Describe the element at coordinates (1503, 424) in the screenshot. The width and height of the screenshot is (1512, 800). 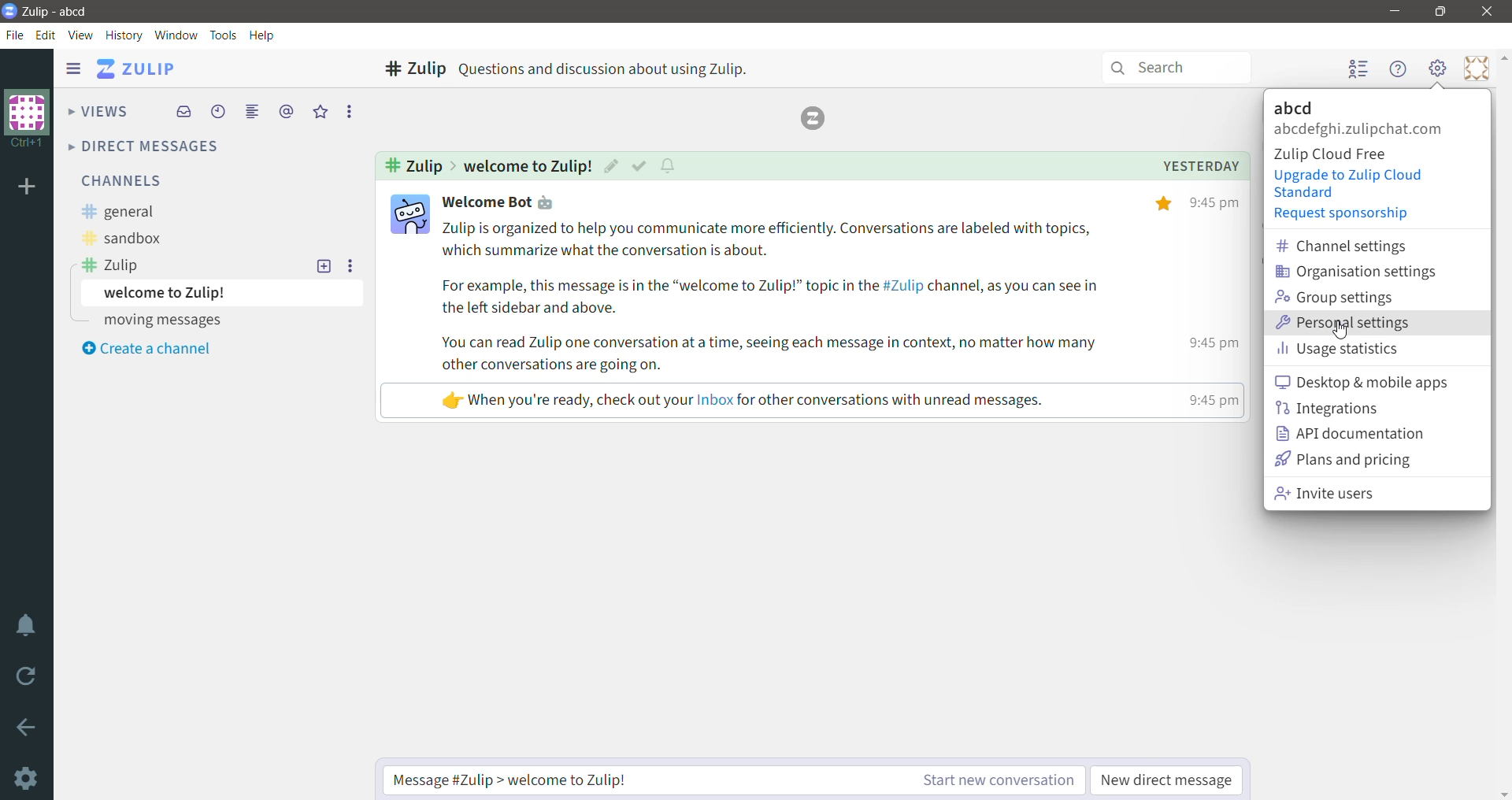
I see `Vertical Scroll Bar` at that location.